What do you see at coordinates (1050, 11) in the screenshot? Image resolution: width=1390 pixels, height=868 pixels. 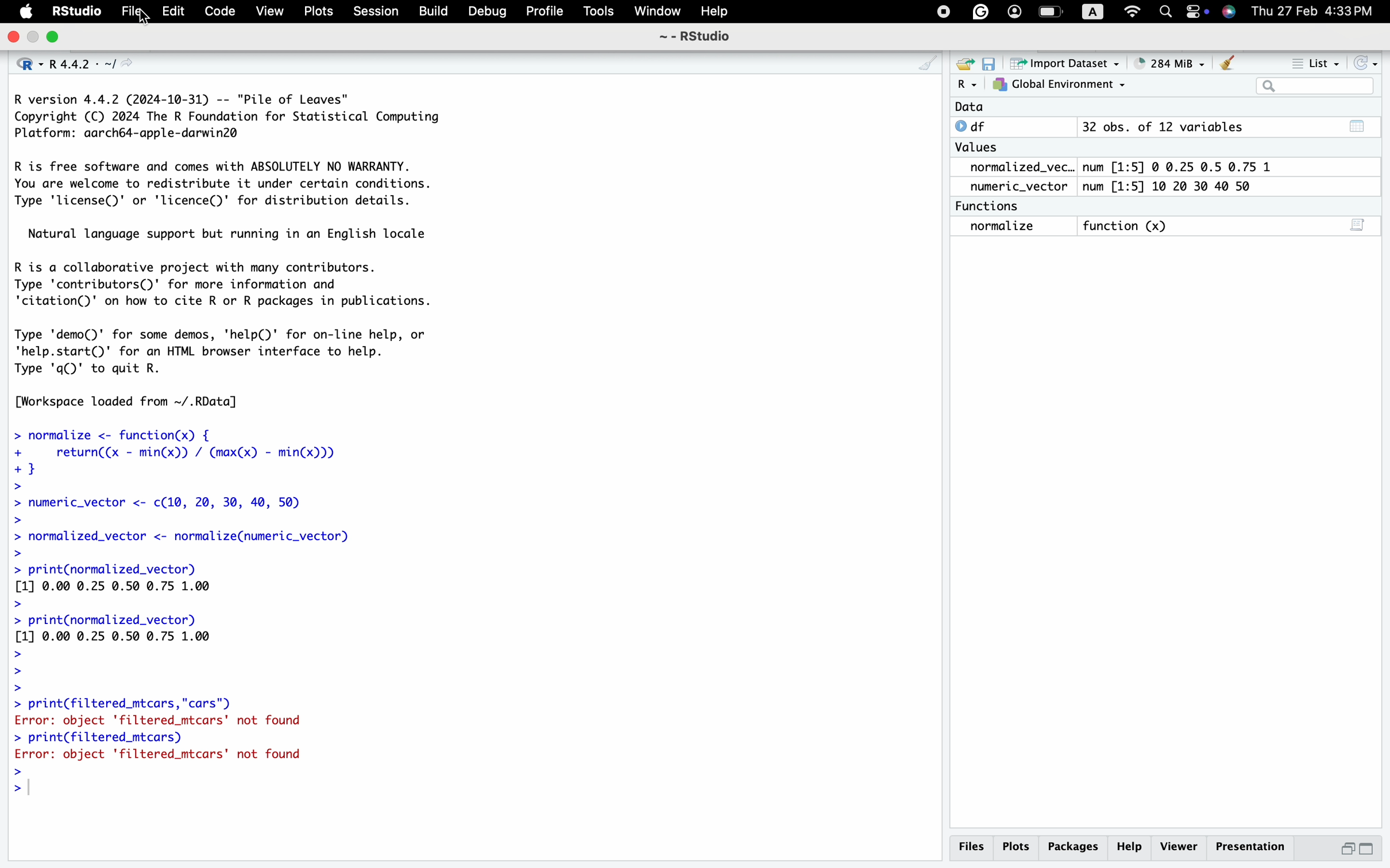 I see `battery` at bounding box center [1050, 11].